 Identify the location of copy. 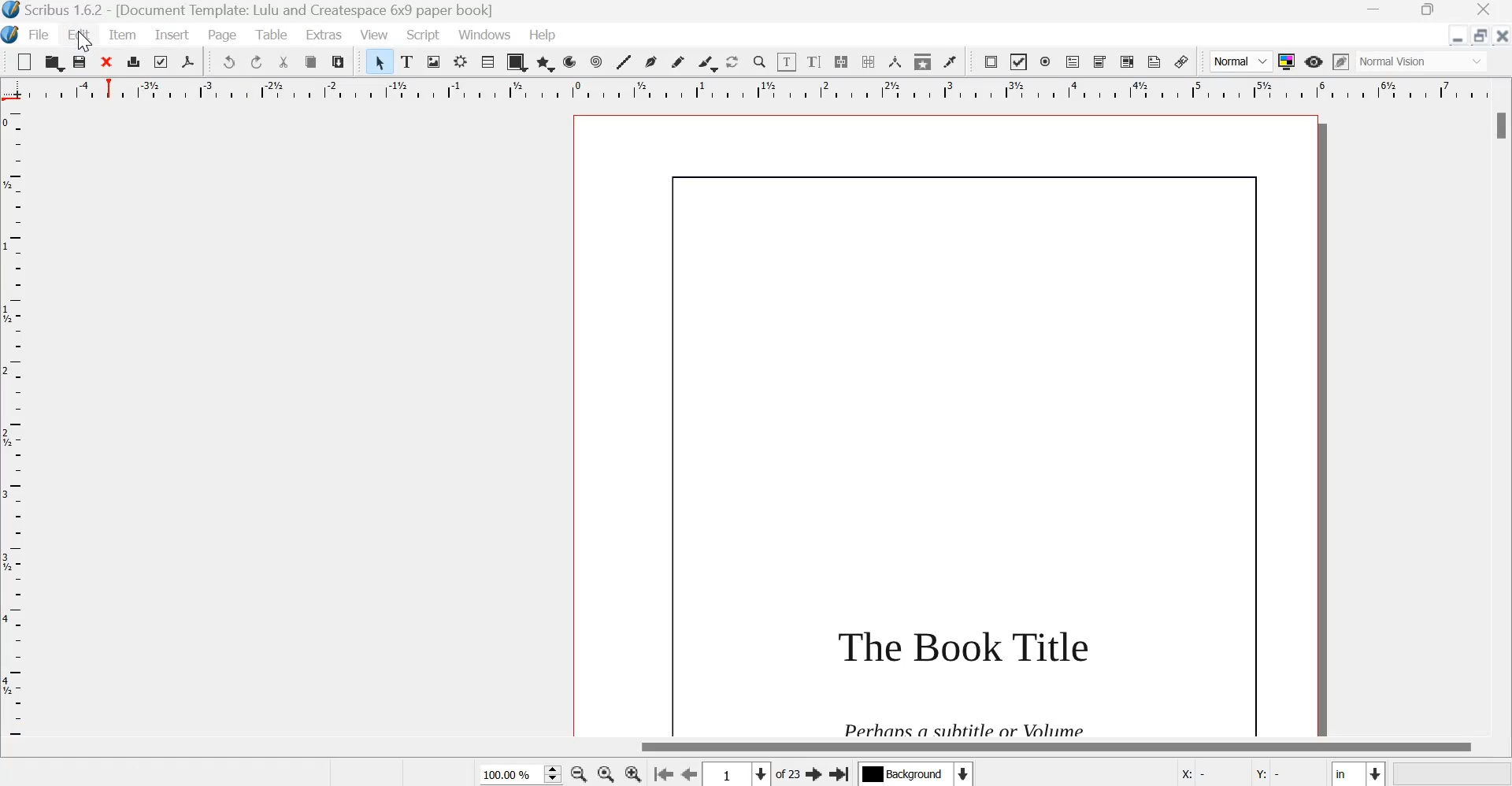
(312, 62).